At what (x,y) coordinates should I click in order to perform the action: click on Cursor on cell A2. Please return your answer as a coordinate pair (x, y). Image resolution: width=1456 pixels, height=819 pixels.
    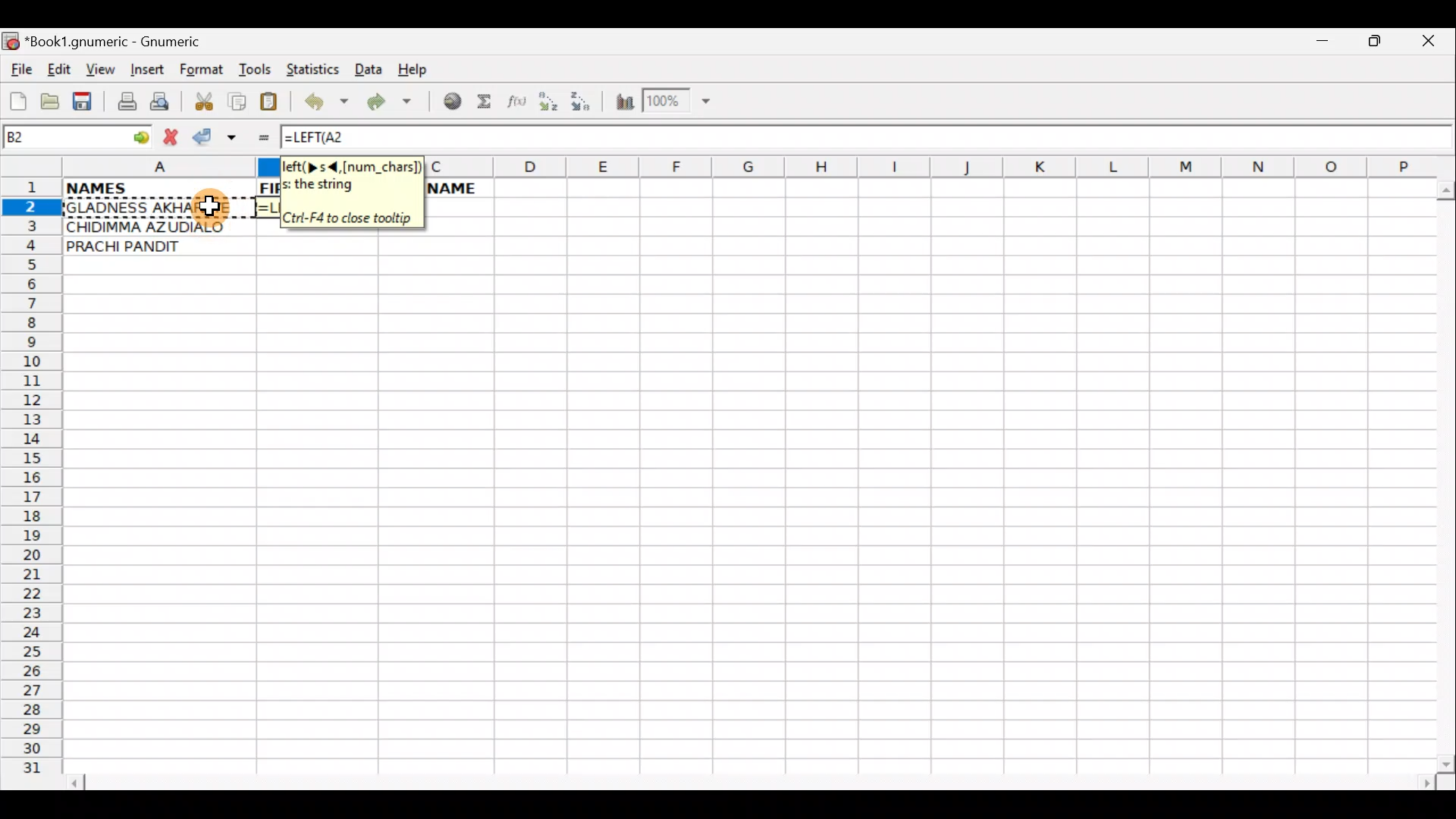
    Looking at the image, I should click on (213, 209).